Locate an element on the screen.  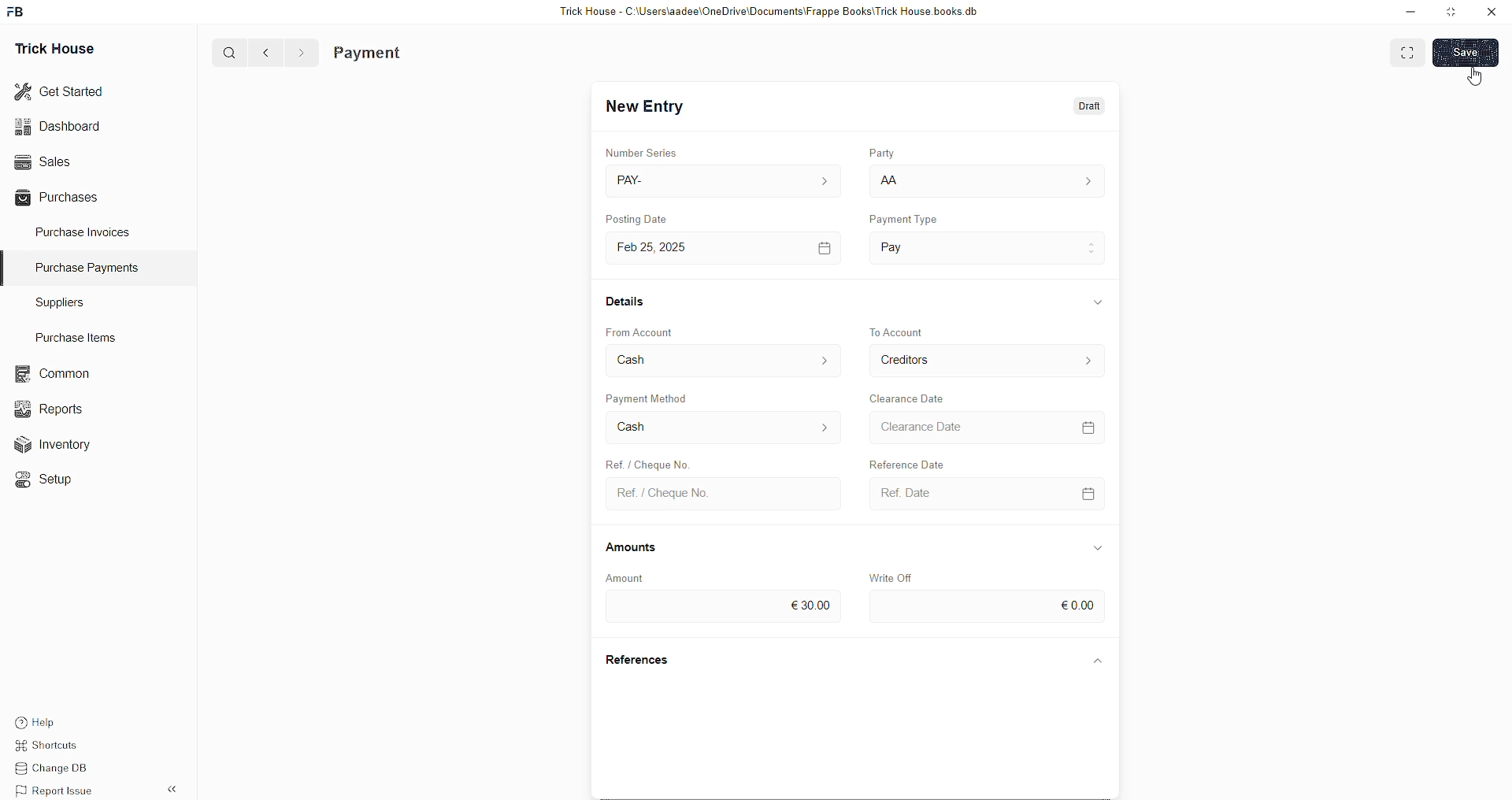
Write Off is located at coordinates (905, 576).